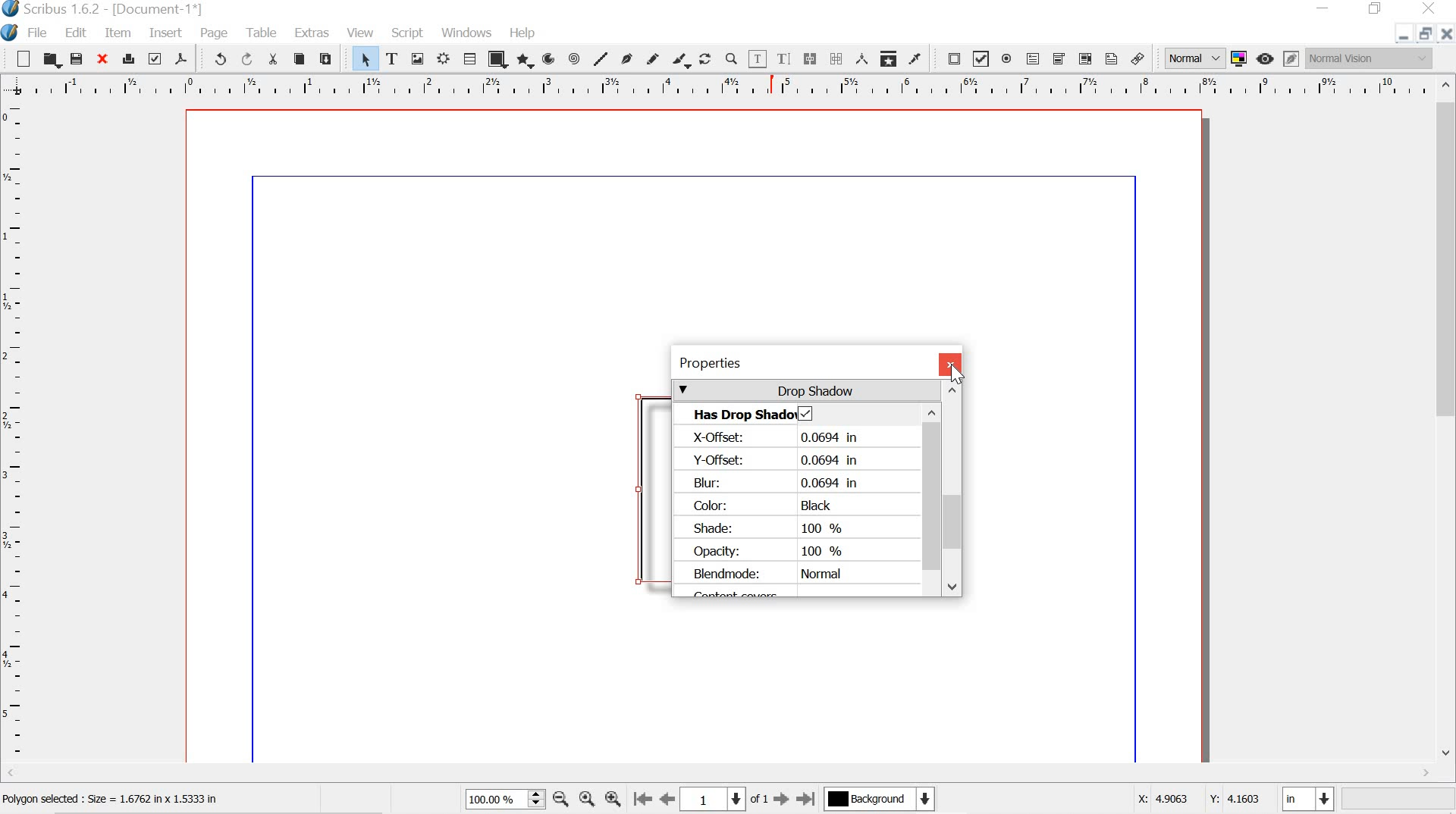 The width and height of the screenshot is (1456, 814). I want to click on in, so click(1310, 800).